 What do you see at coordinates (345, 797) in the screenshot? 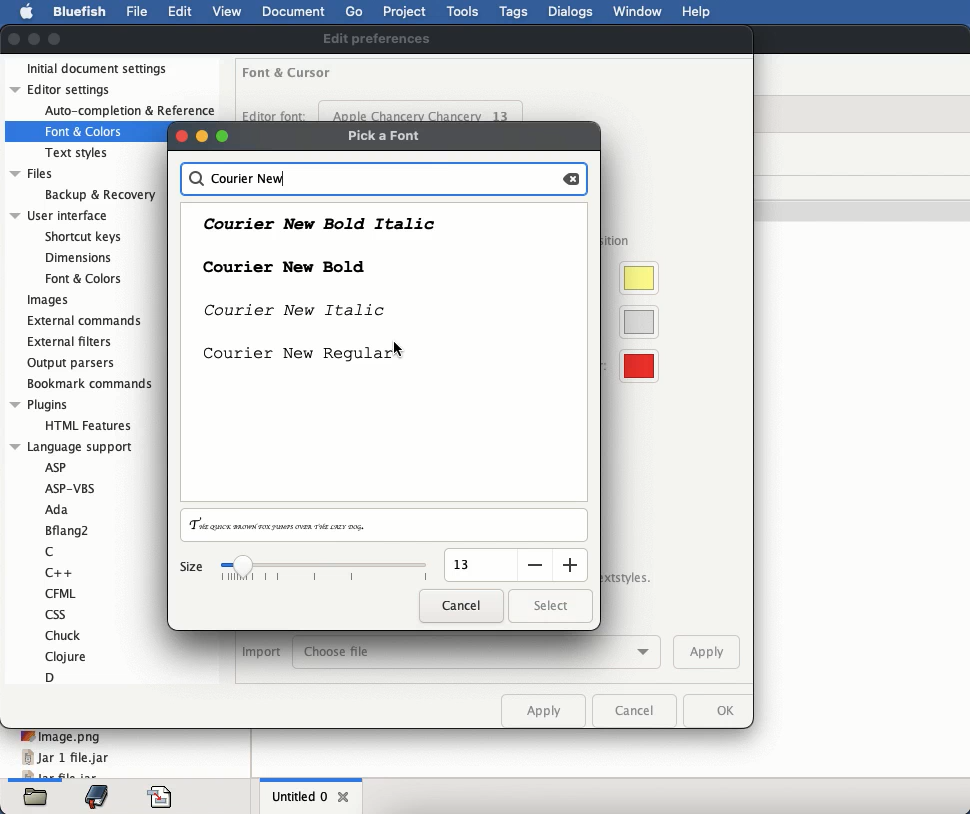
I see `close` at bounding box center [345, 797].